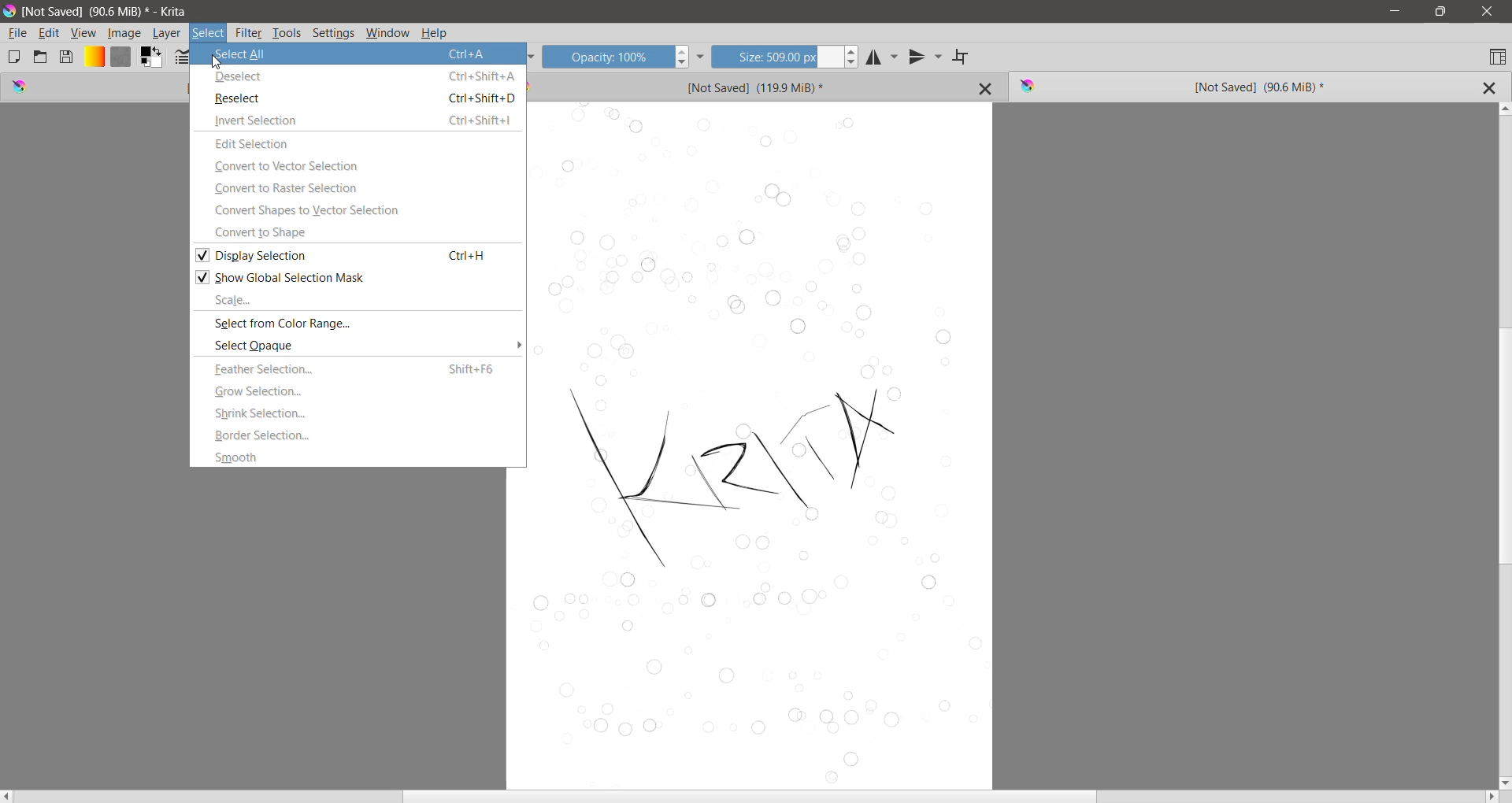  I want to click on Shrink Selection, so click(360, 413).